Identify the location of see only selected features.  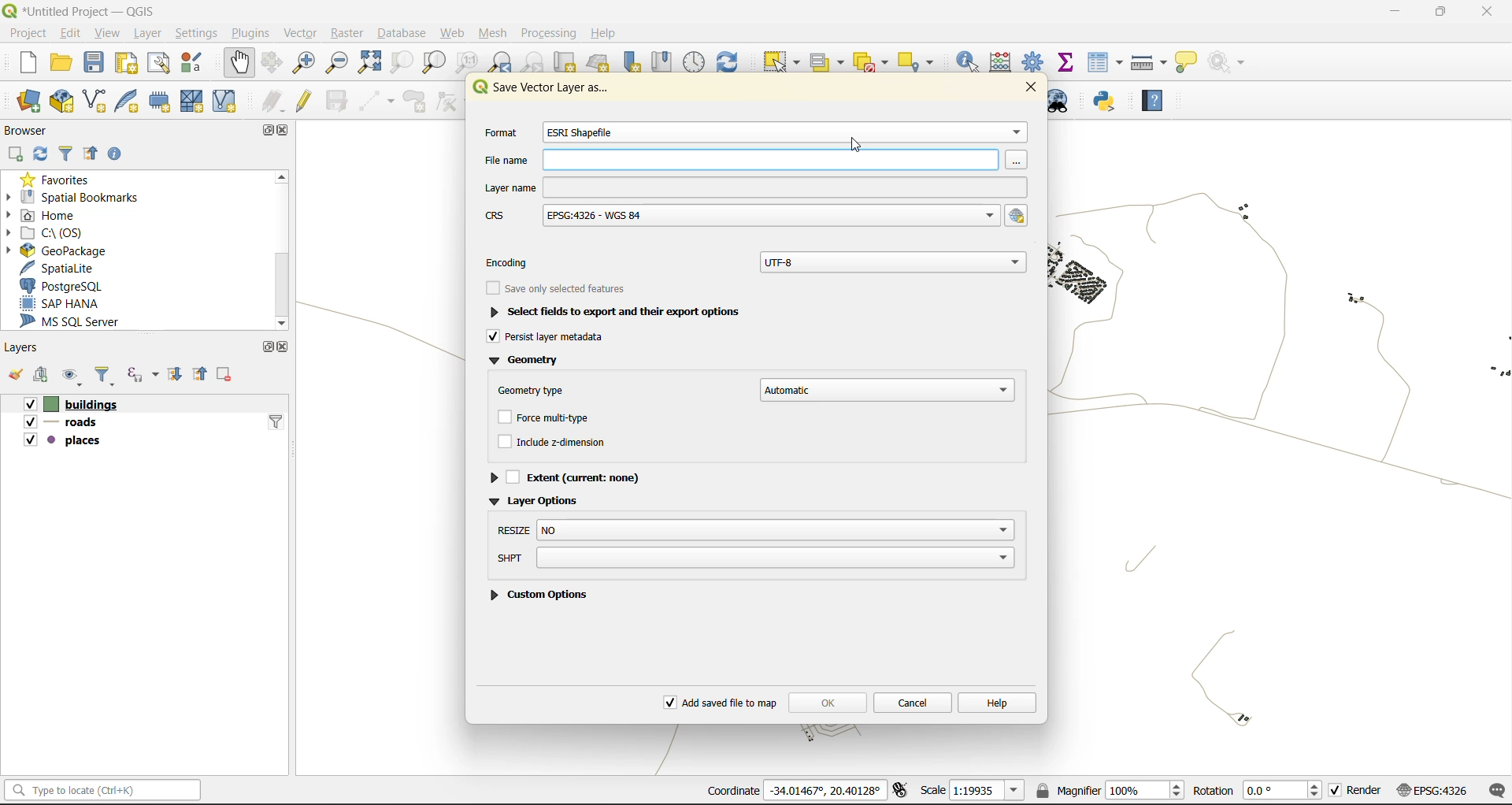
(563, 287).